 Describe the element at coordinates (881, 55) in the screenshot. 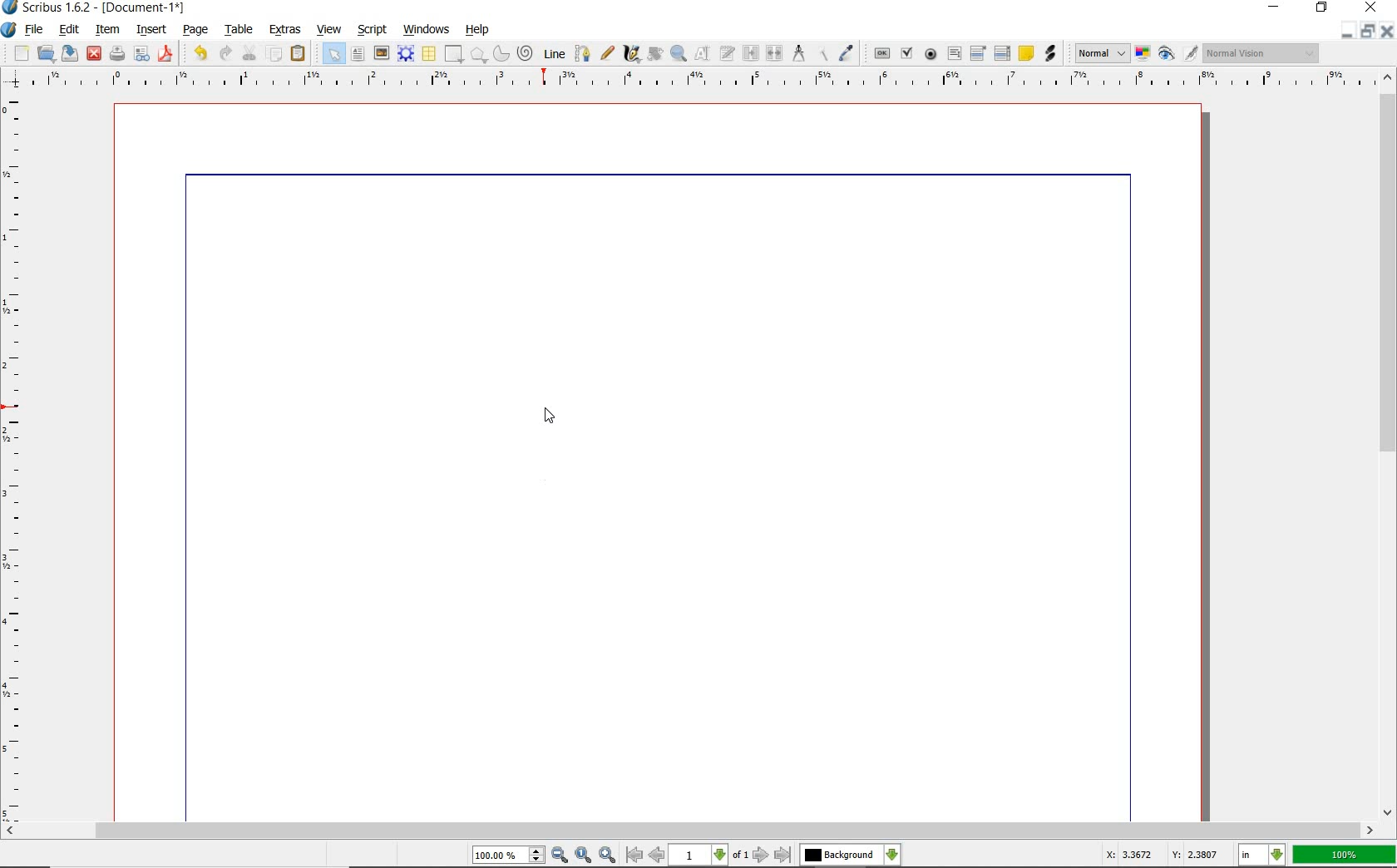

I see `pdf push button` at that location.